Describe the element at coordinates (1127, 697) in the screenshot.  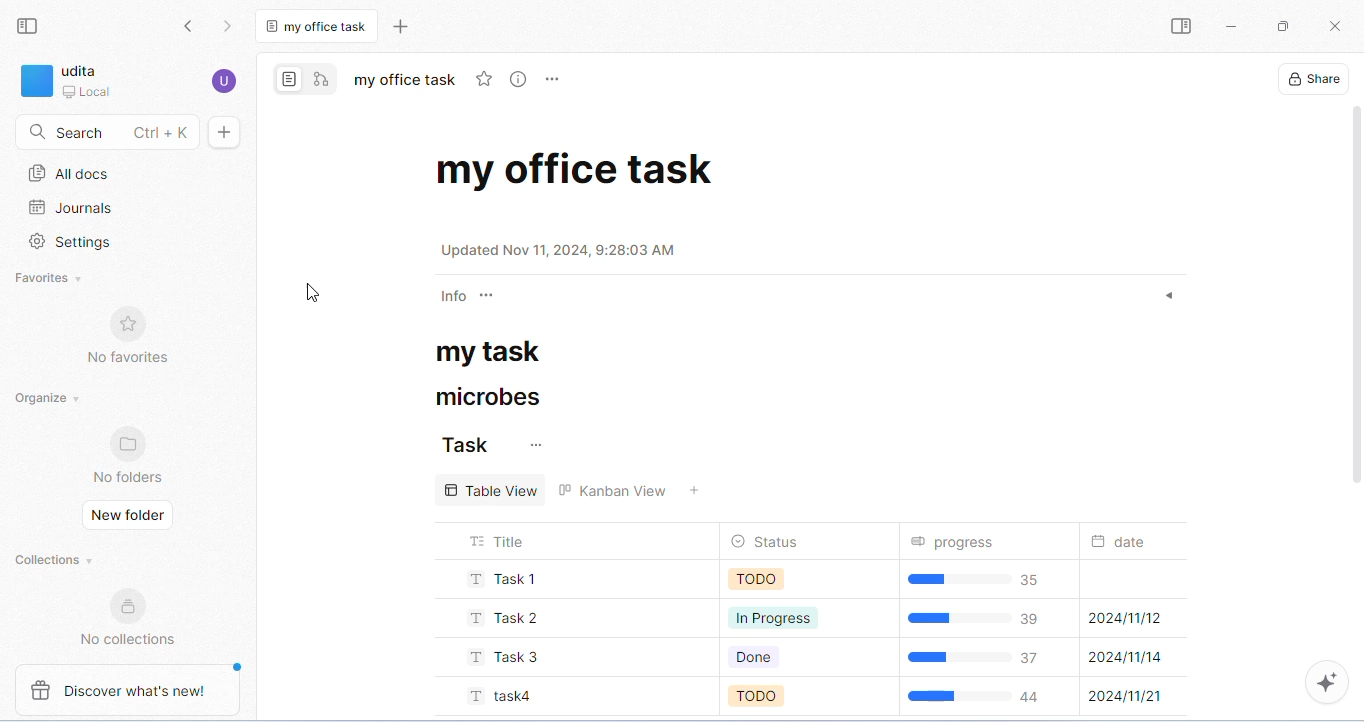
I see `submission date of task4` at that location.